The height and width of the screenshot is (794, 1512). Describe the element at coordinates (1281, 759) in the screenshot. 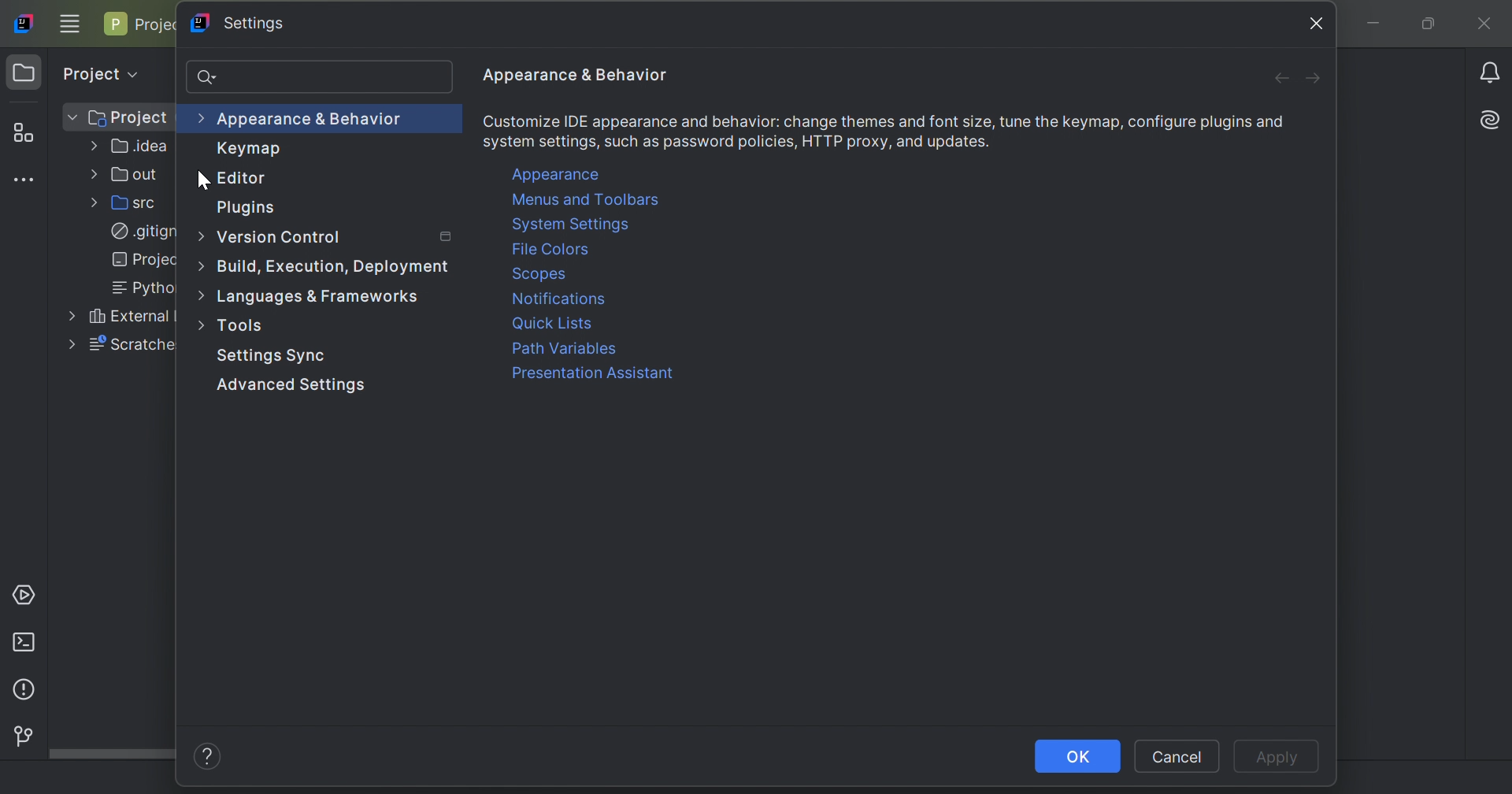

I see `Apply` at that location.